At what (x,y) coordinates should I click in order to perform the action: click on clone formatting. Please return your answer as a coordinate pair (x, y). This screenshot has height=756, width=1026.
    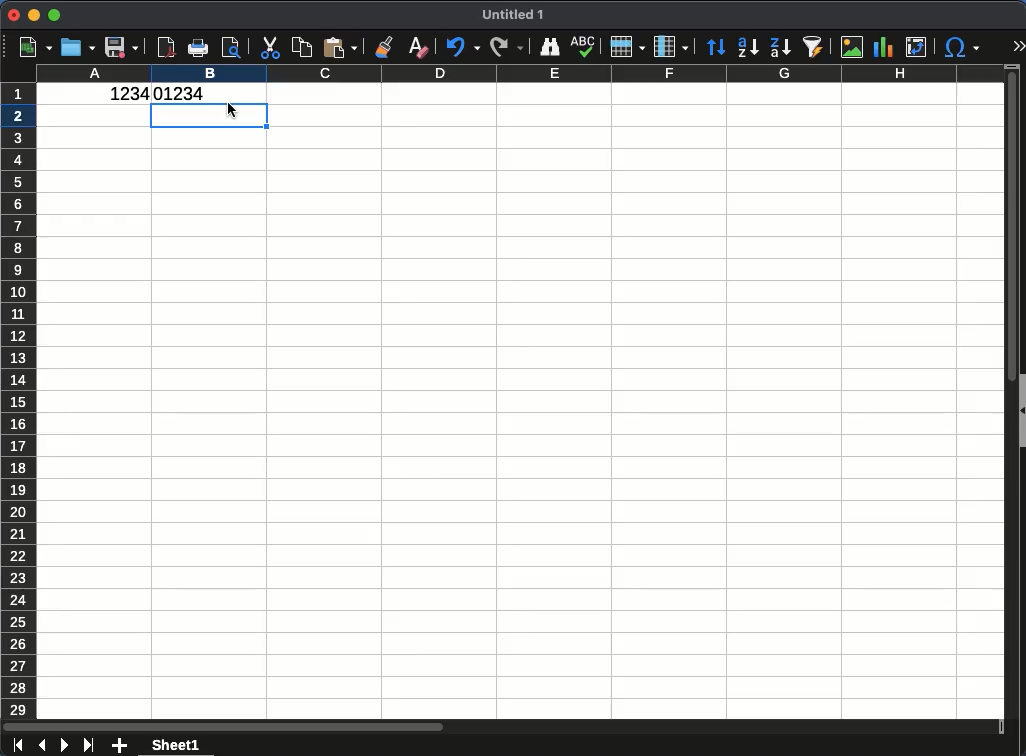
    Looking at the image, I should click on (386, 49).